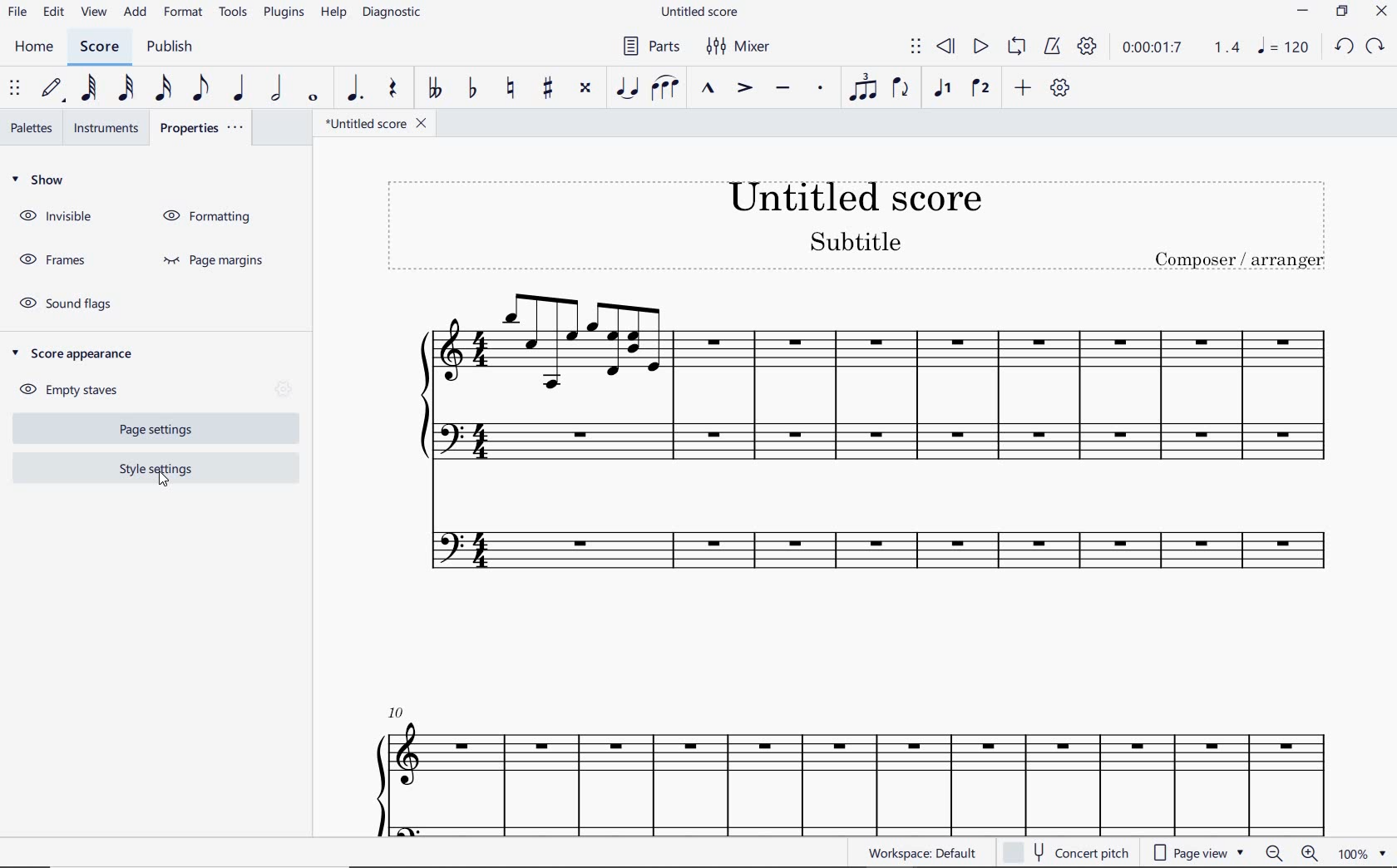  Describe the element at coordinates (471, 86) in the screenshot. I see `TOGGLE FLAT` at that location.